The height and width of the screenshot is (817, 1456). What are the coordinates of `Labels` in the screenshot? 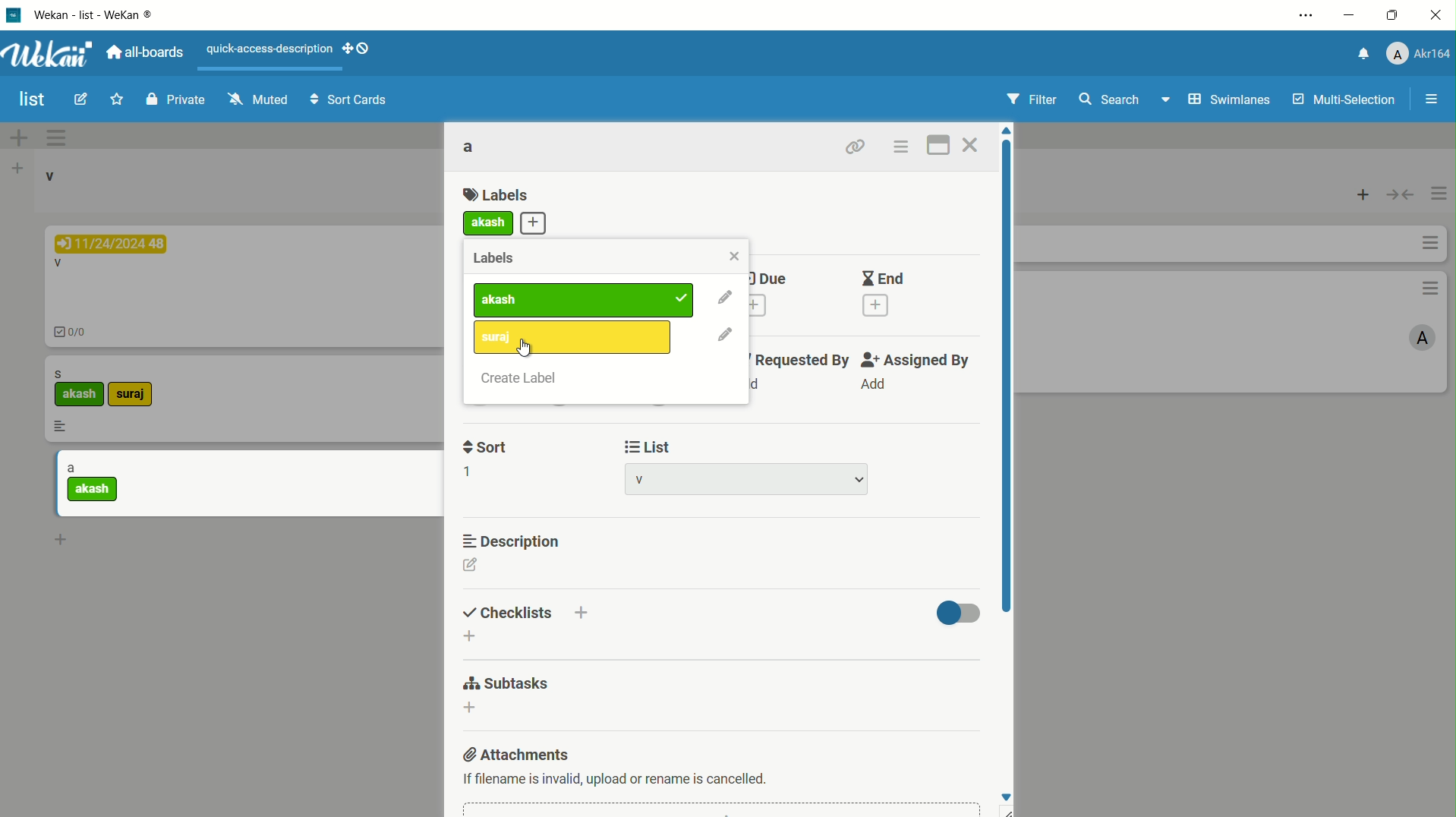 It's located at (522, 260).